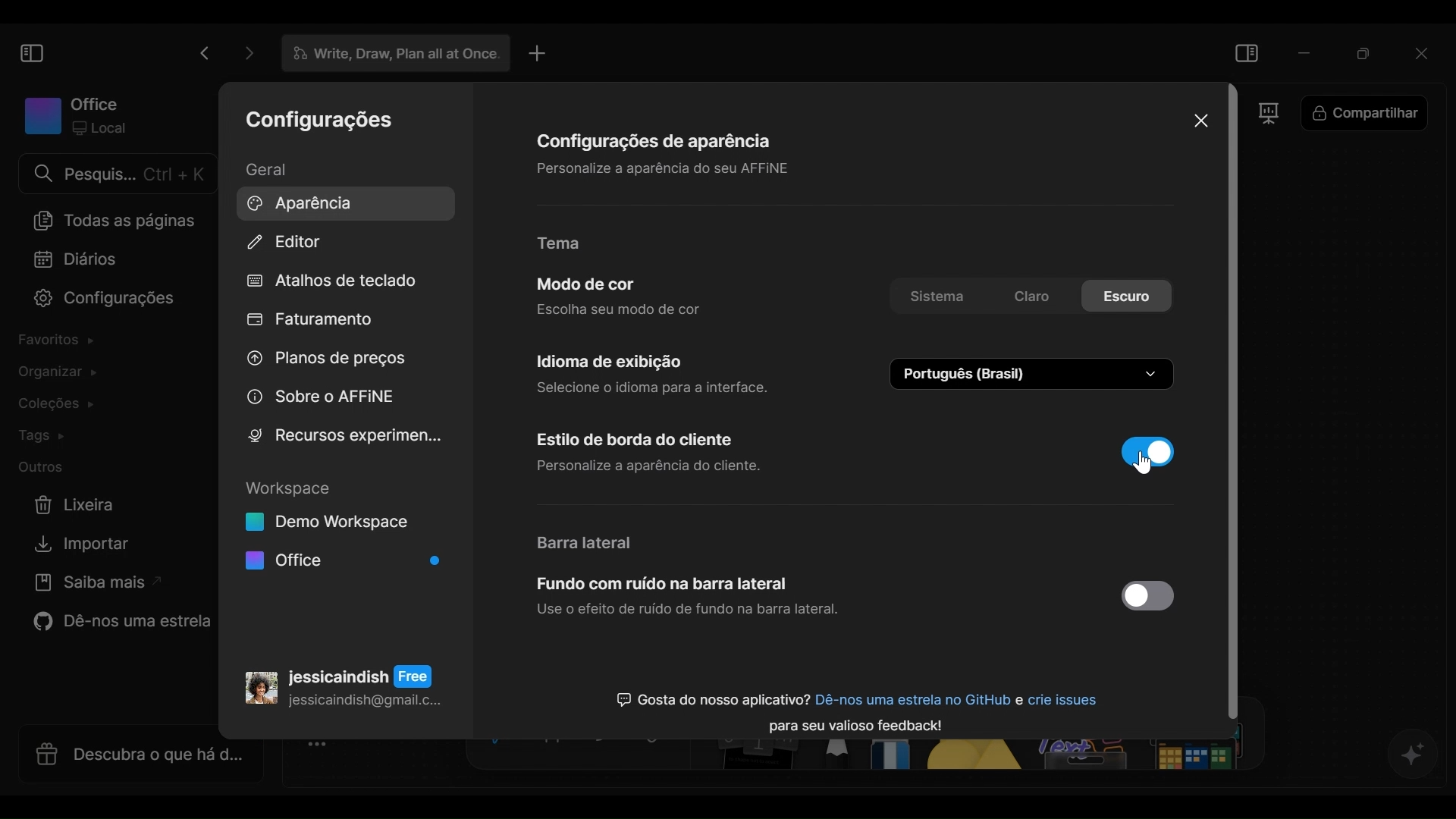 This screenshot has height=819, width=1456. Describe the element at coordinates (612, 748) in the screenshot. I see `Curve` at that location.